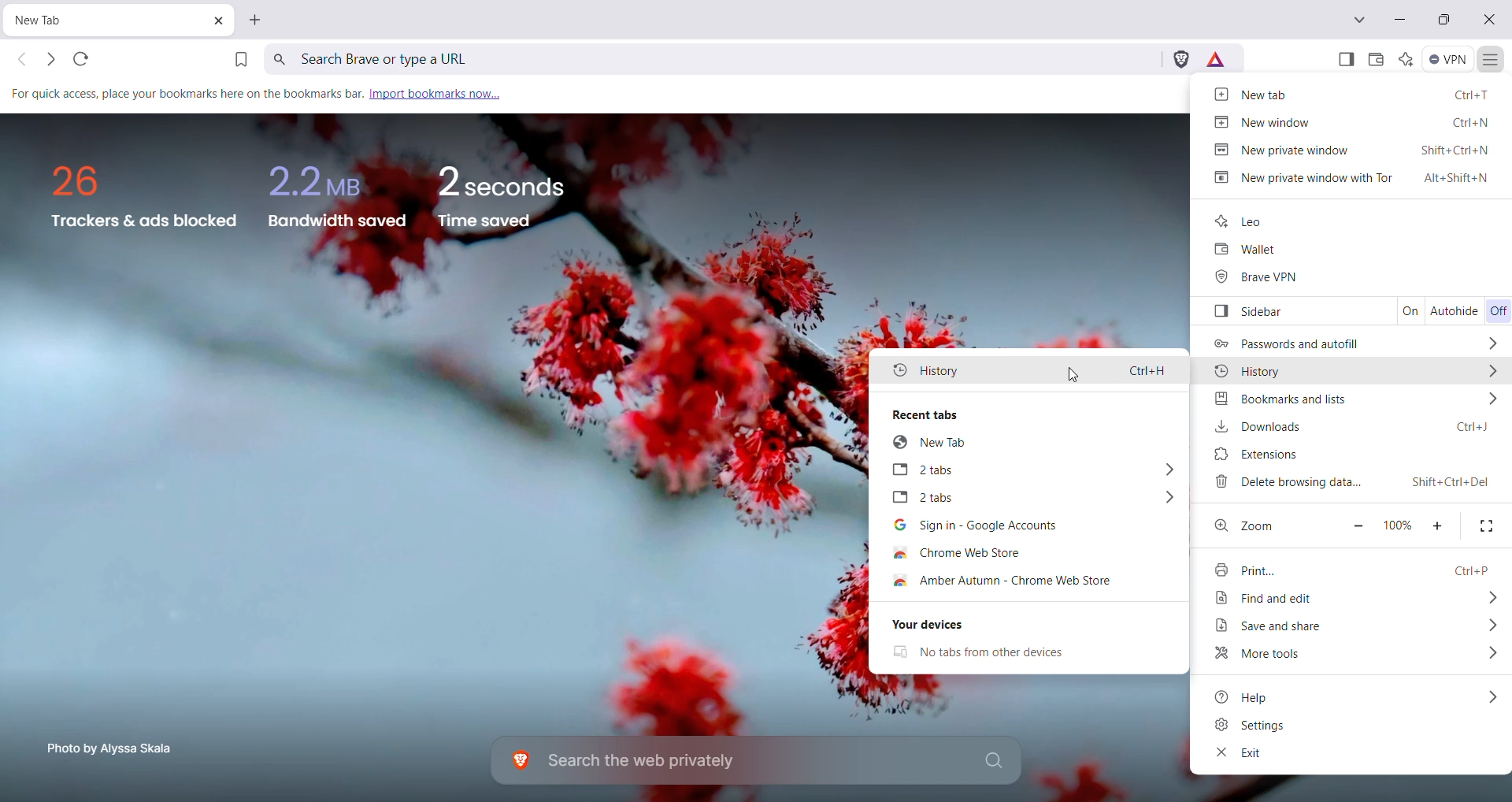 Image resolution: width=1512 pixels, height=802 pixels. What do you see at coordinates (1492, 60) in the screenshot?
I see `Customize and Control Brave` at bounding box center [1492, 60].